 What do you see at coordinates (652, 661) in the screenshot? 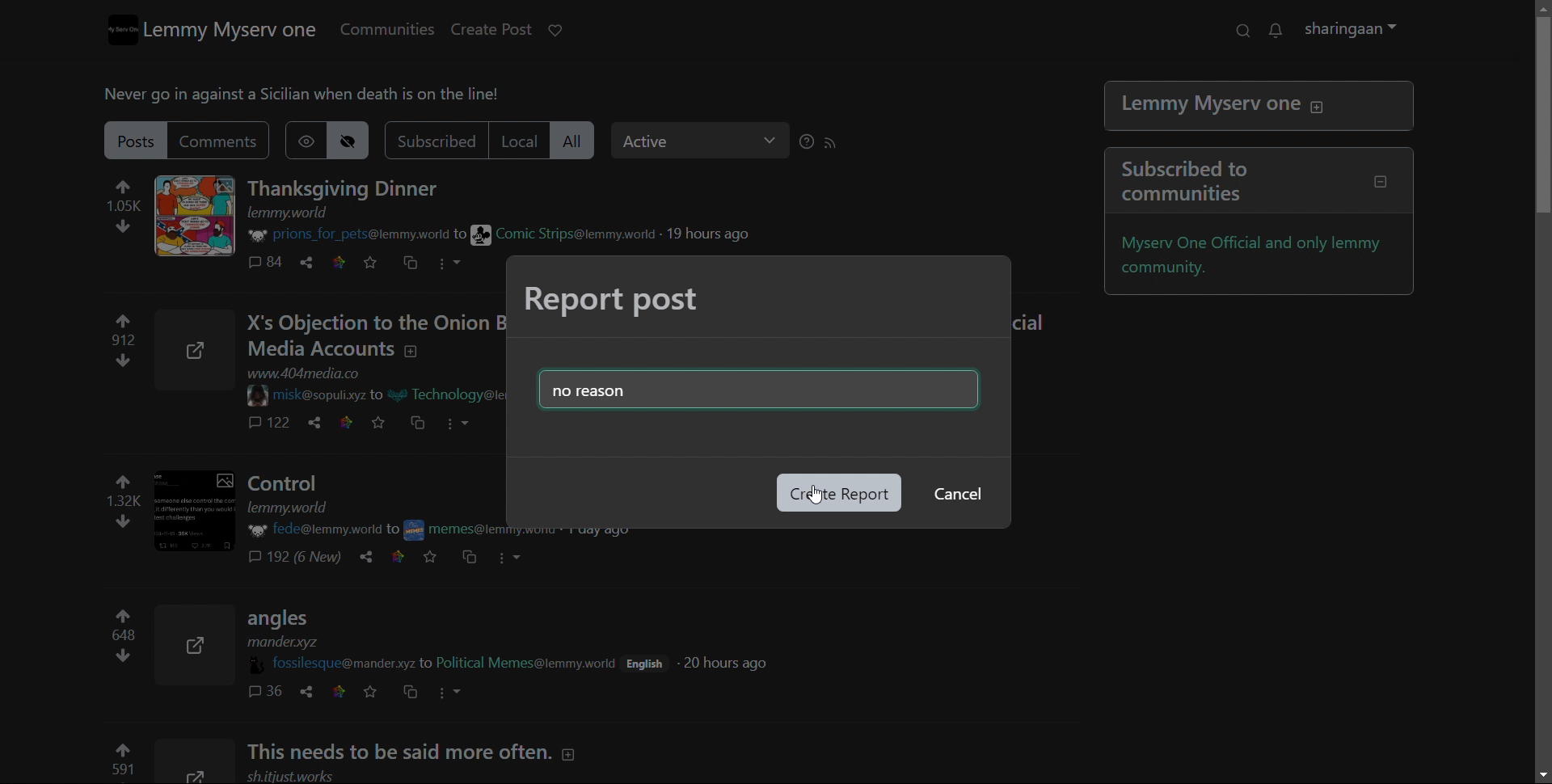
I see `English` at bounding box center [652, 661].